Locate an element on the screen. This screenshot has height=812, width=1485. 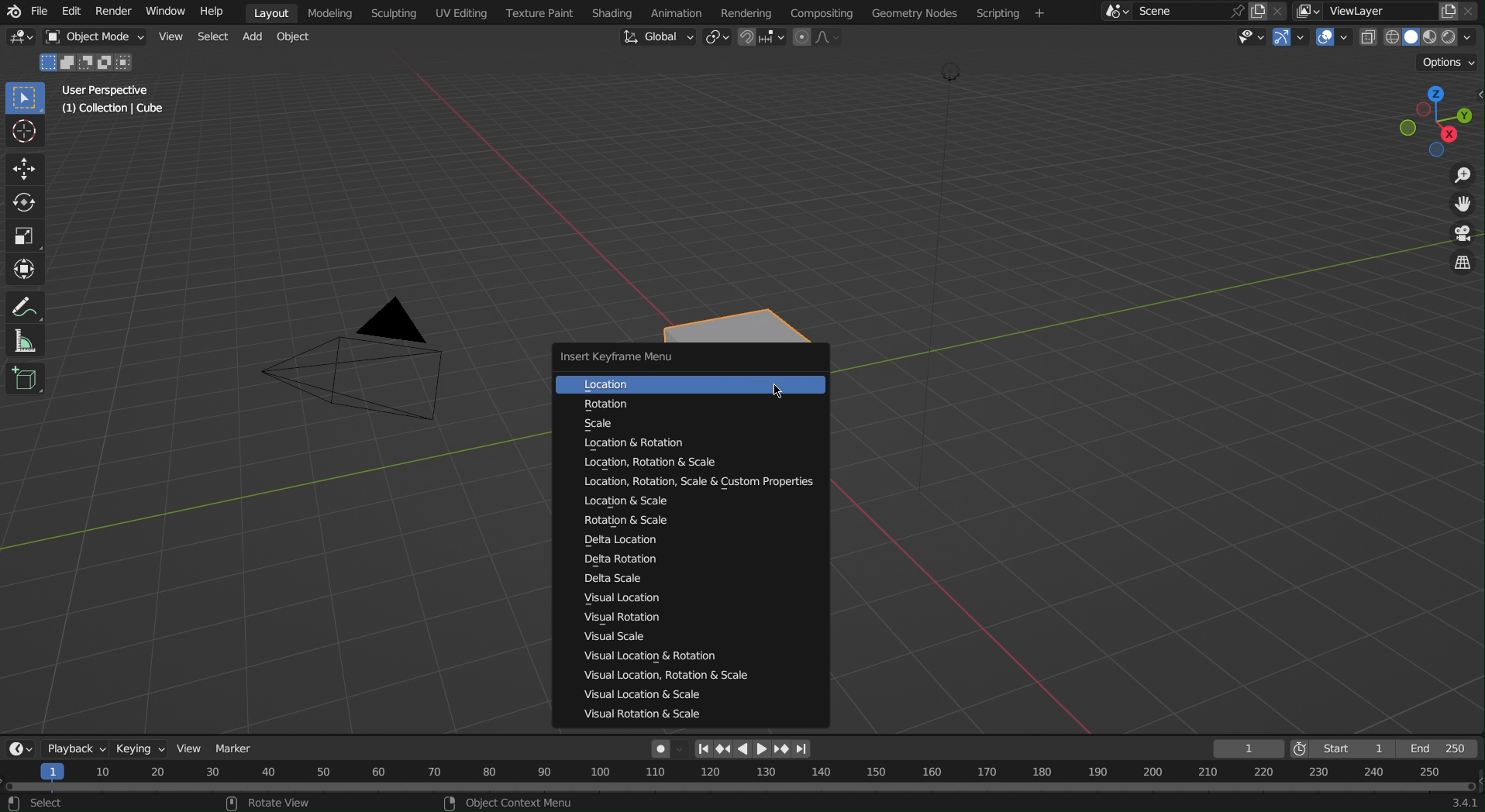
Switch the current view is located at coordinates (1459, 262).